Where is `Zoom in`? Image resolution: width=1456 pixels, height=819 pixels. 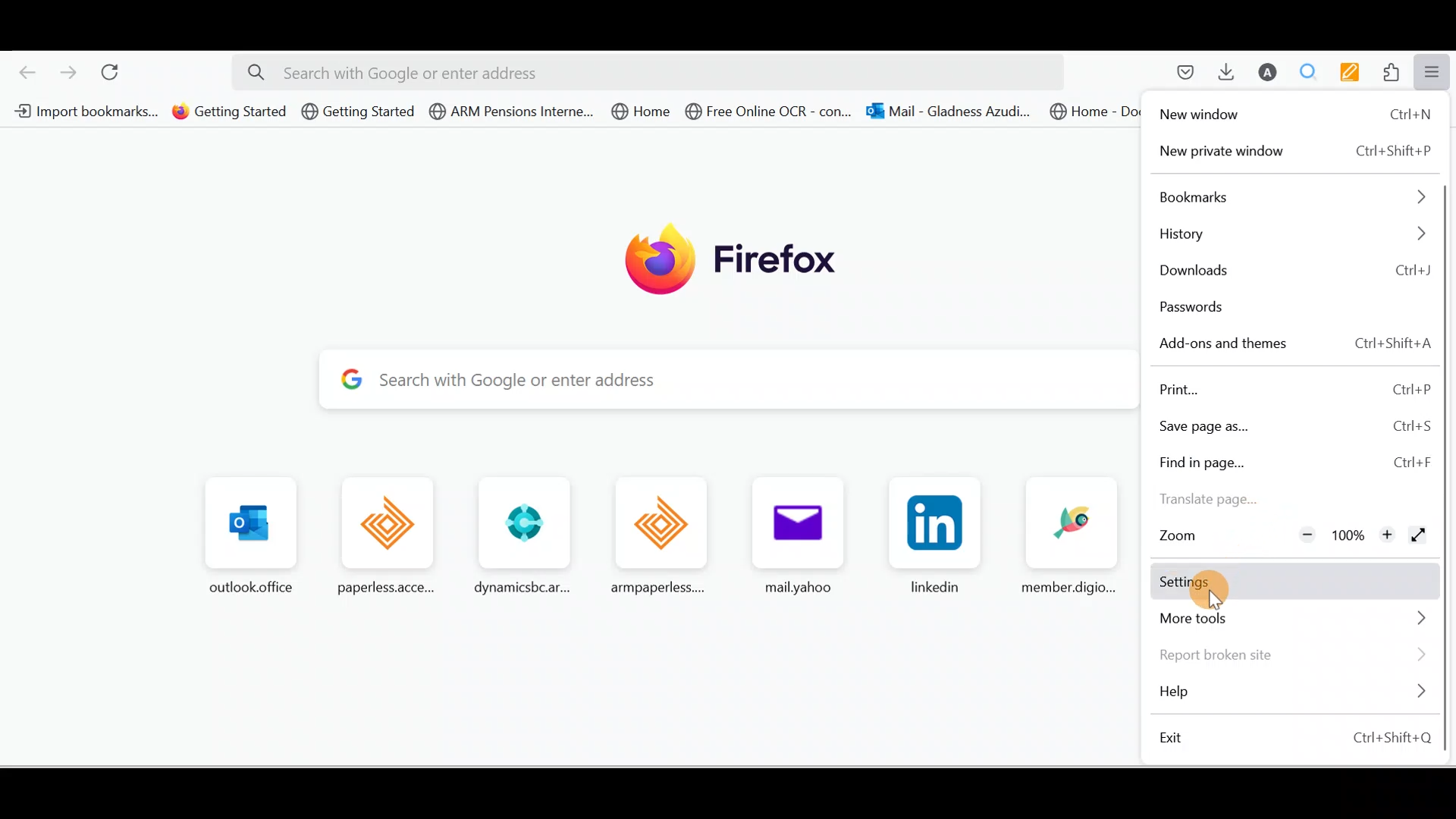
Zoom in is located at coordinates (1385, 537).